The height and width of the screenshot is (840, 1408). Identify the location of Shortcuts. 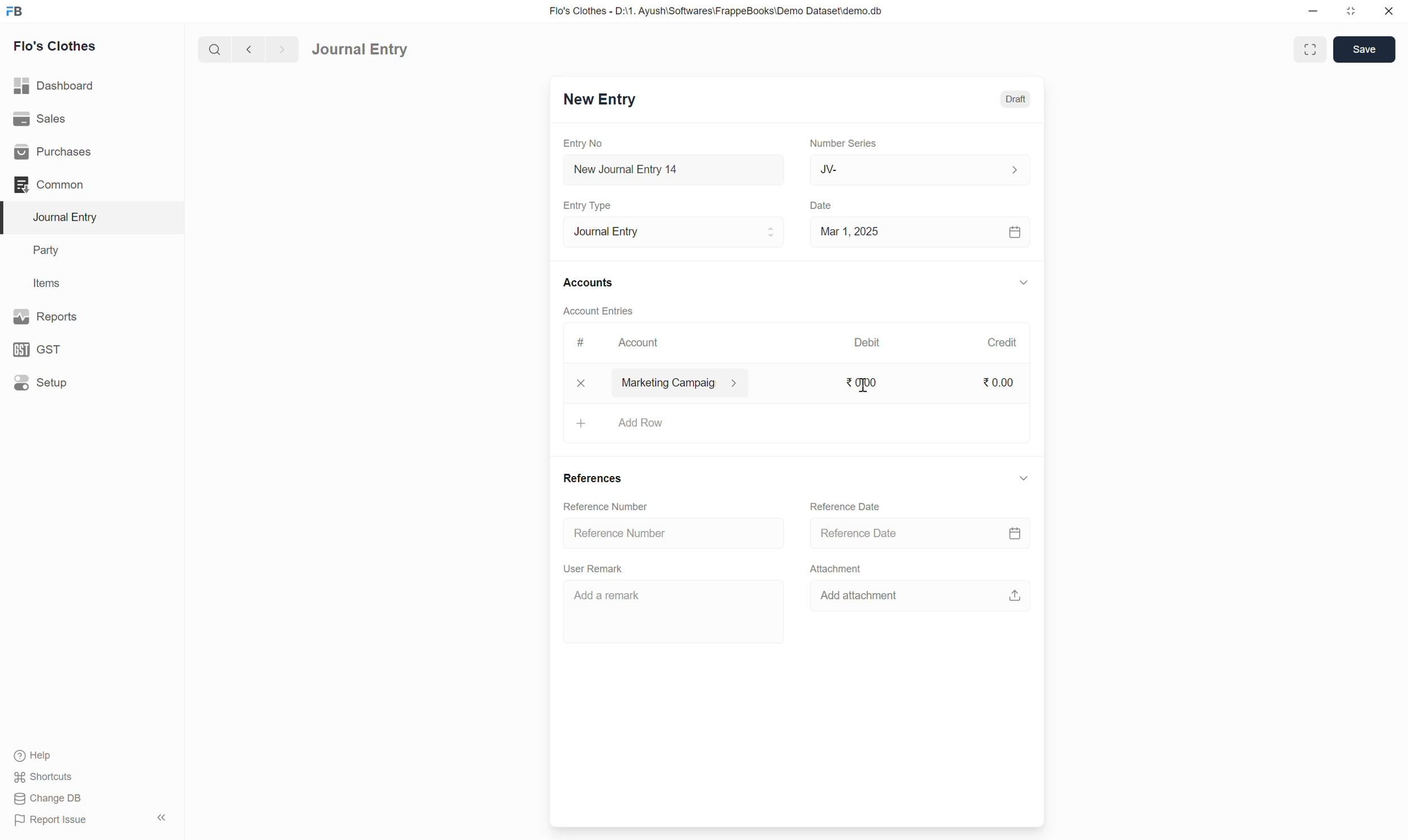
(48, 777).